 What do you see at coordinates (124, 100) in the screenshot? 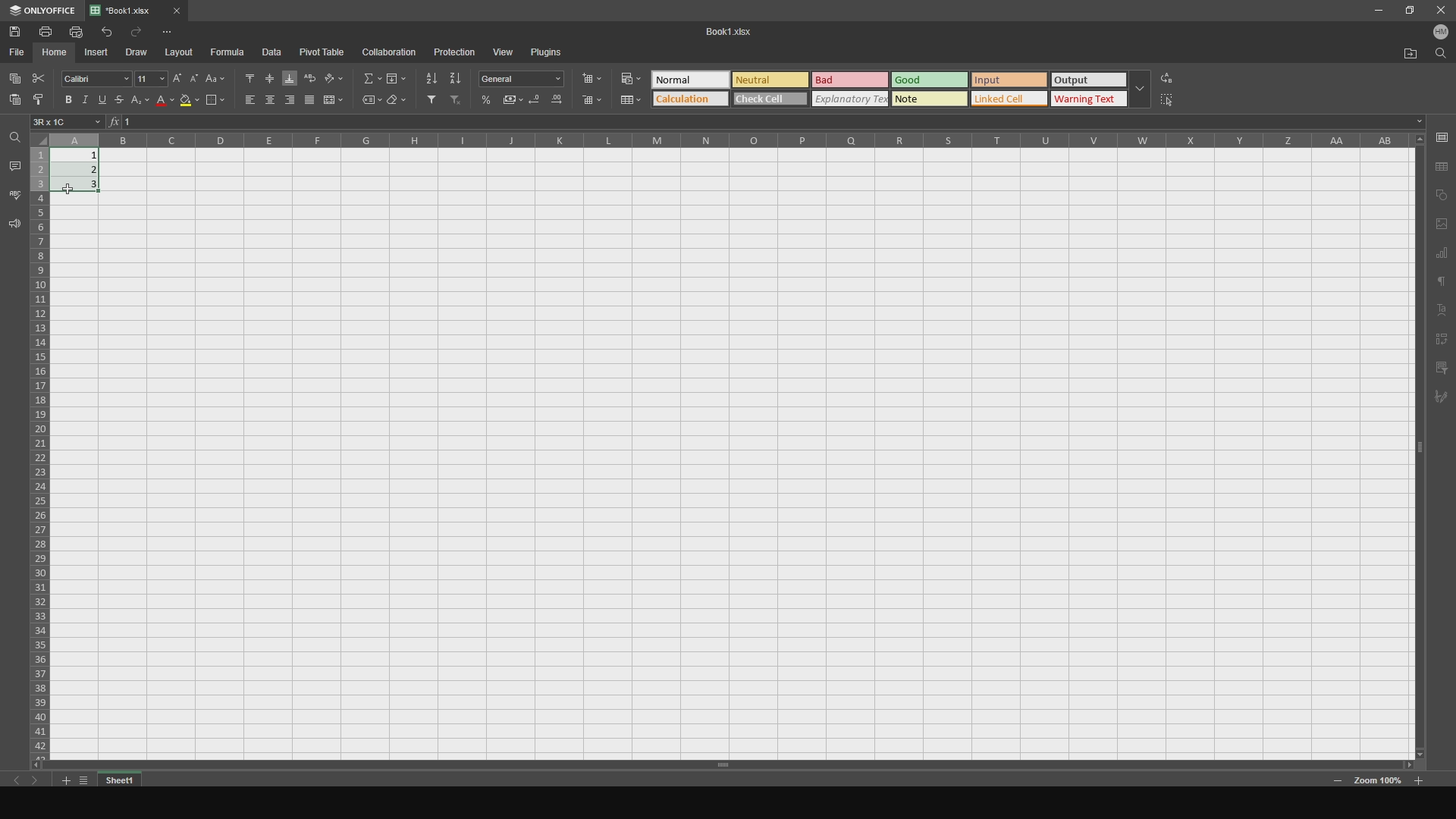
I see `stricktrough` at bounding box center [124, 100].